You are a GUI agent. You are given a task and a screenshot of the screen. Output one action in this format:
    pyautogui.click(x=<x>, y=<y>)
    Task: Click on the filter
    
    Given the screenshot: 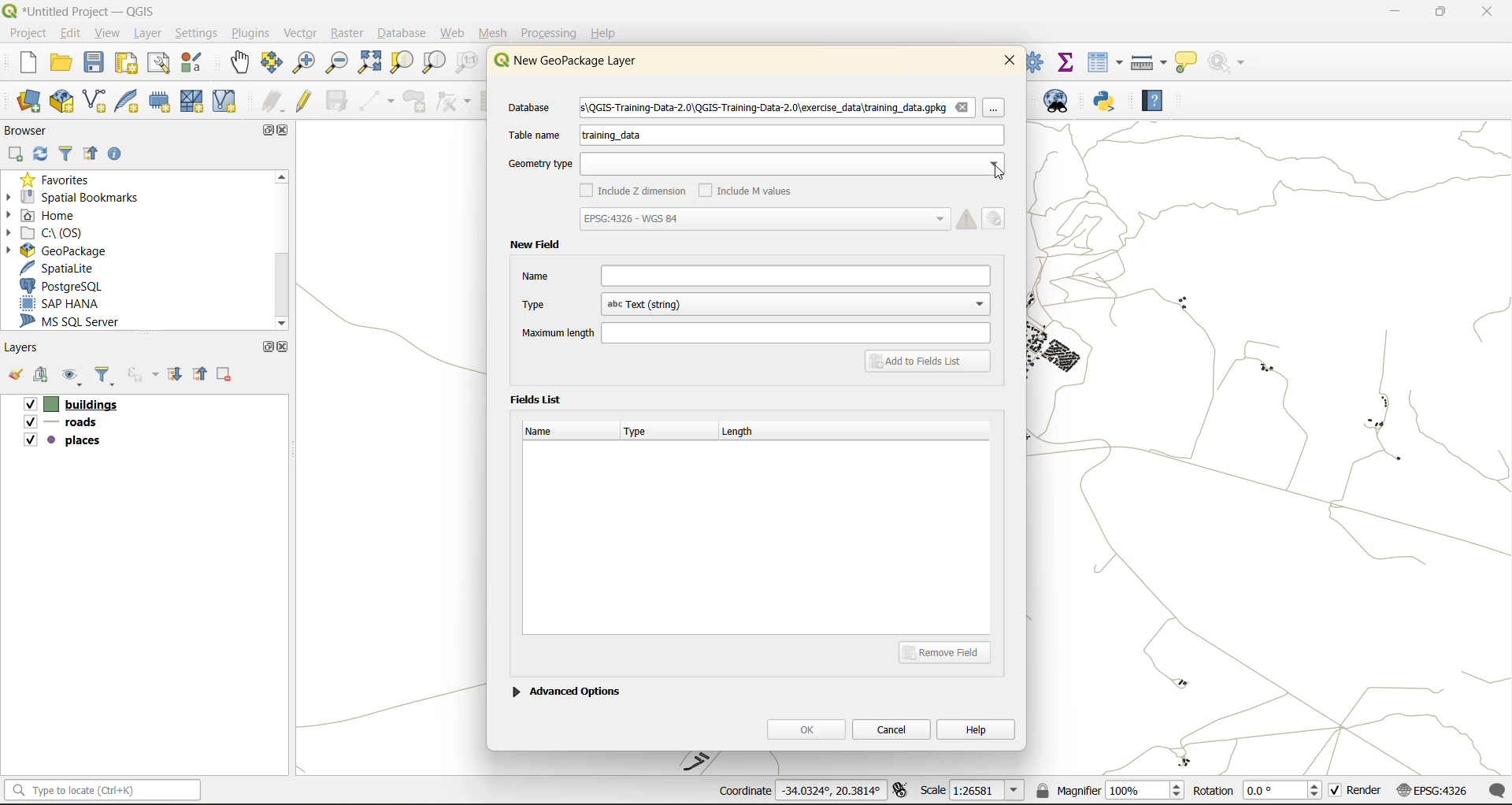 What is the action you would take?
    pyautogui.click(x=66, y=155)
    